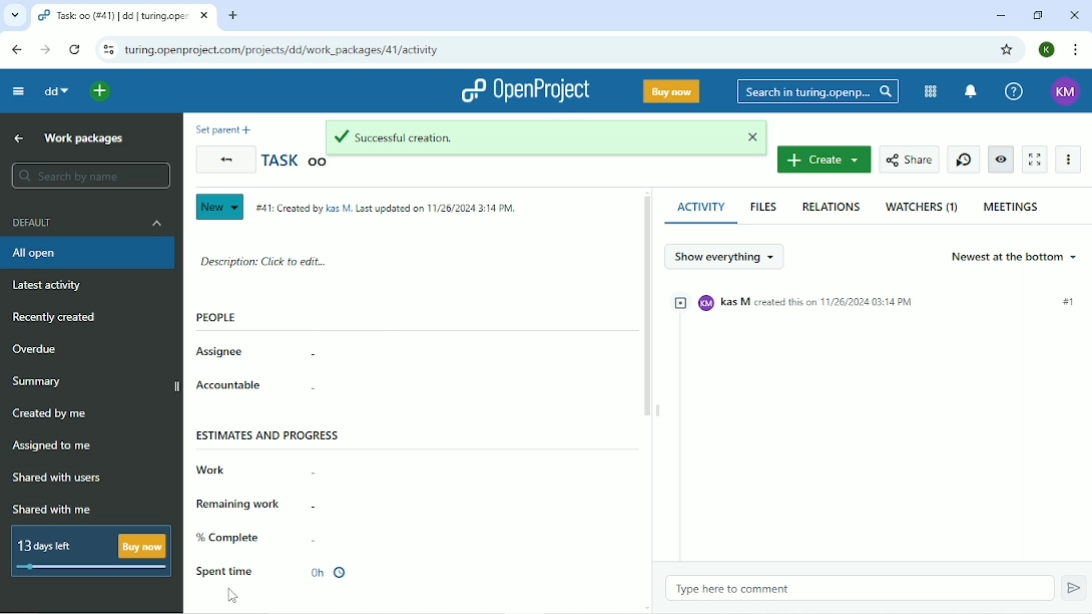  What do you see at coordinates (1014, 91) in the screenshot?
I see `Help` at bounding box center [1014, 91].